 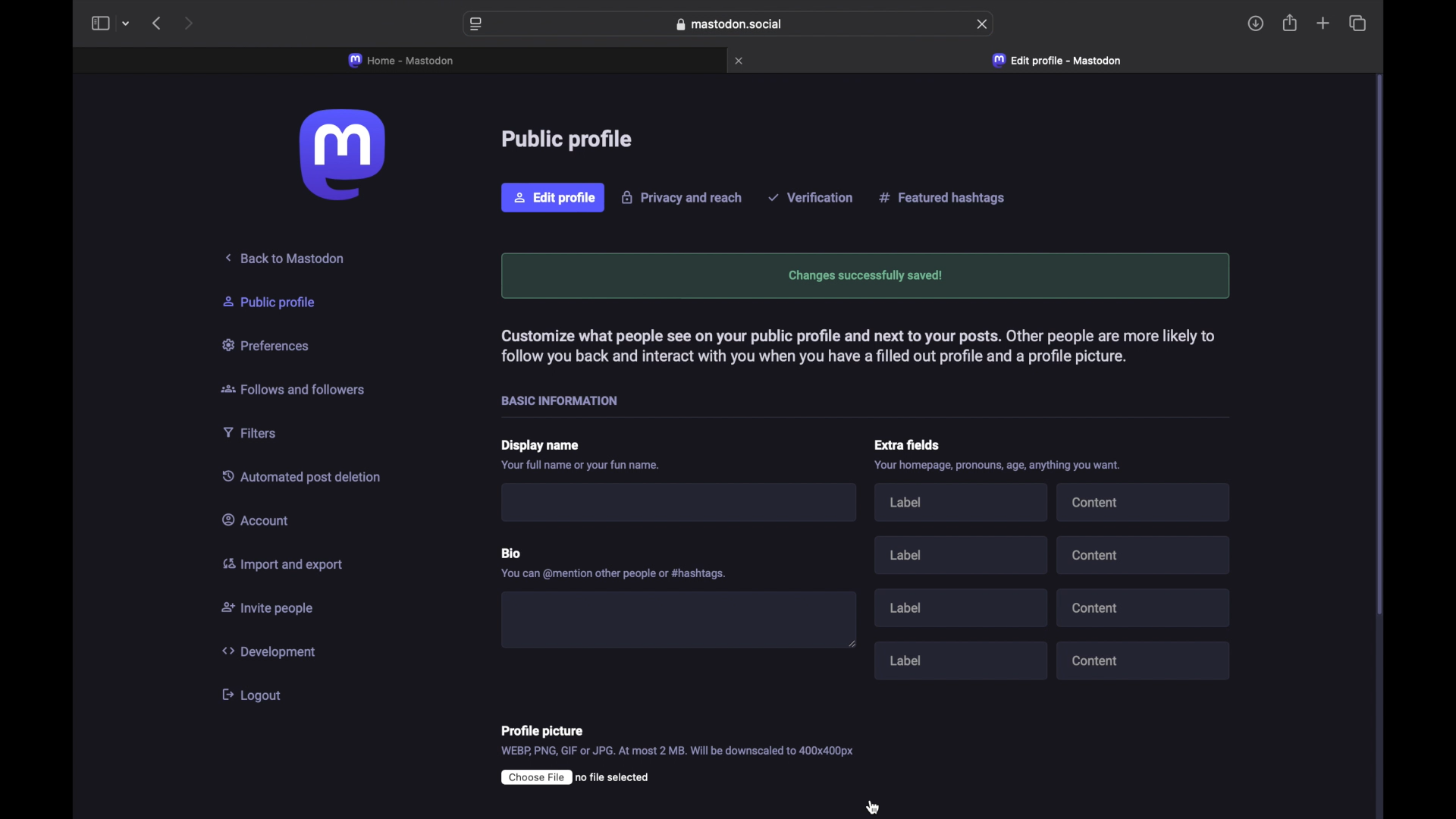 What do you see at coordinates (741, 61) in the screenshot?
I see `close` at bounding box center [741, 61].